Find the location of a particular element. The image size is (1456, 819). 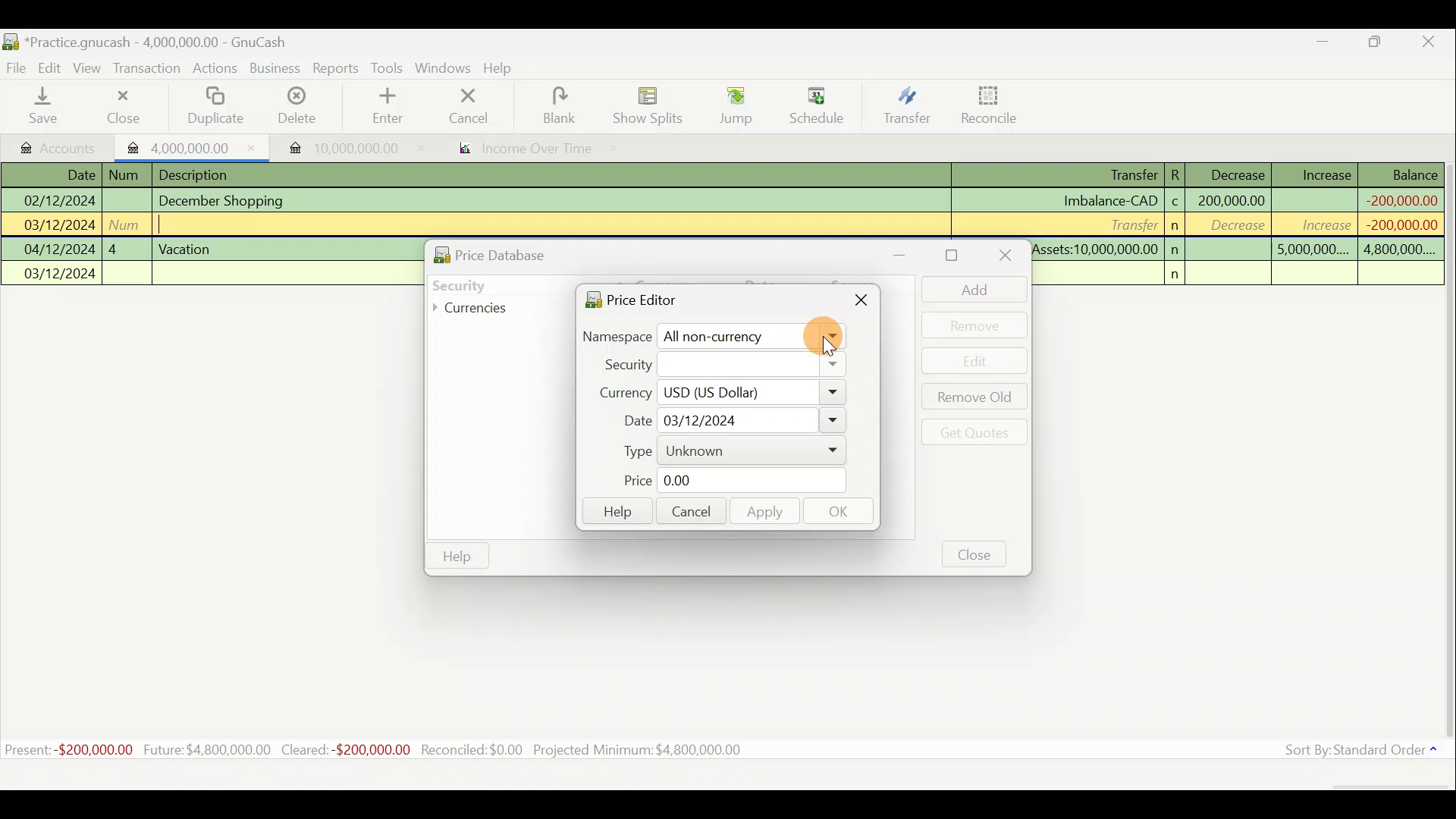

Remove is located at coordinates (974, 325).